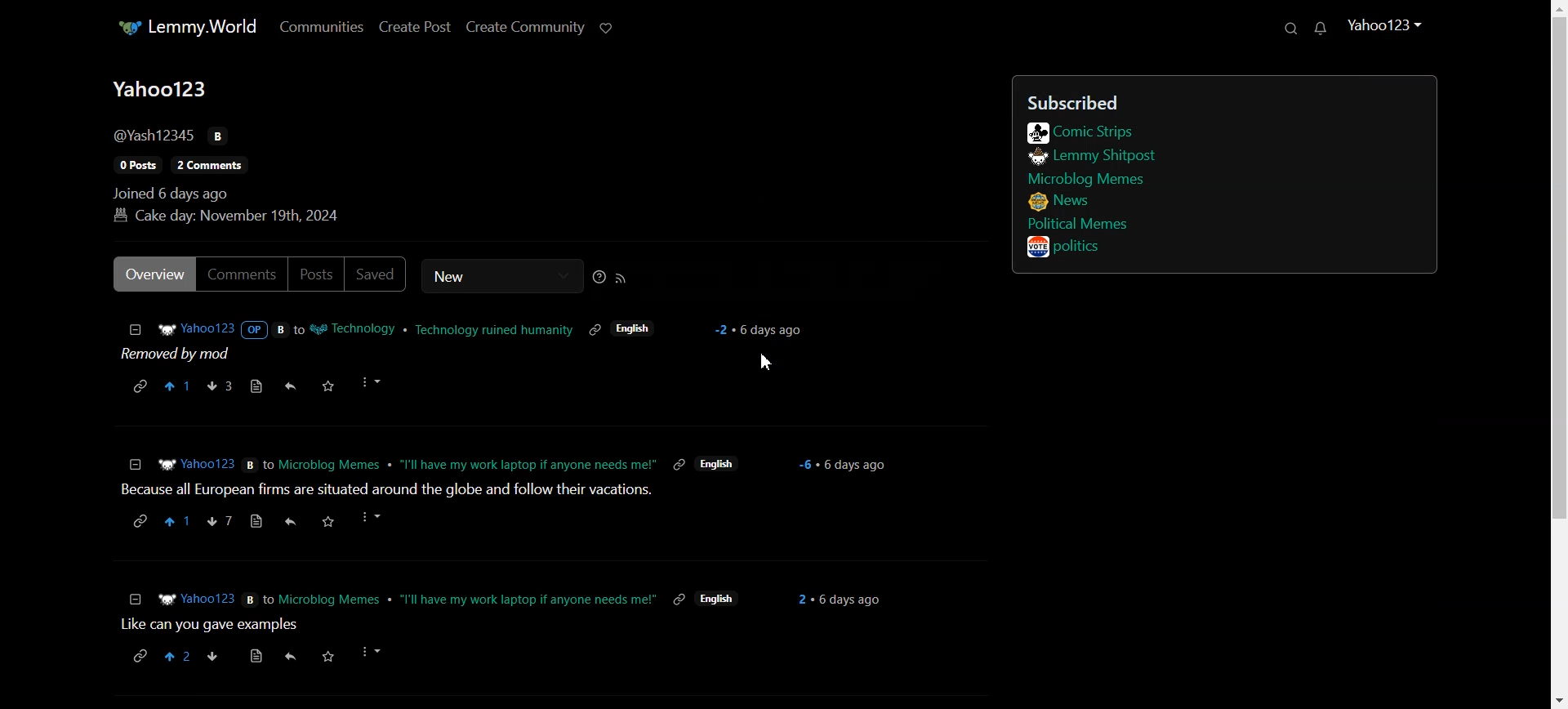 This screenshot has height=709, width=1568. I want to click on Sorting help, so click(598, 277).